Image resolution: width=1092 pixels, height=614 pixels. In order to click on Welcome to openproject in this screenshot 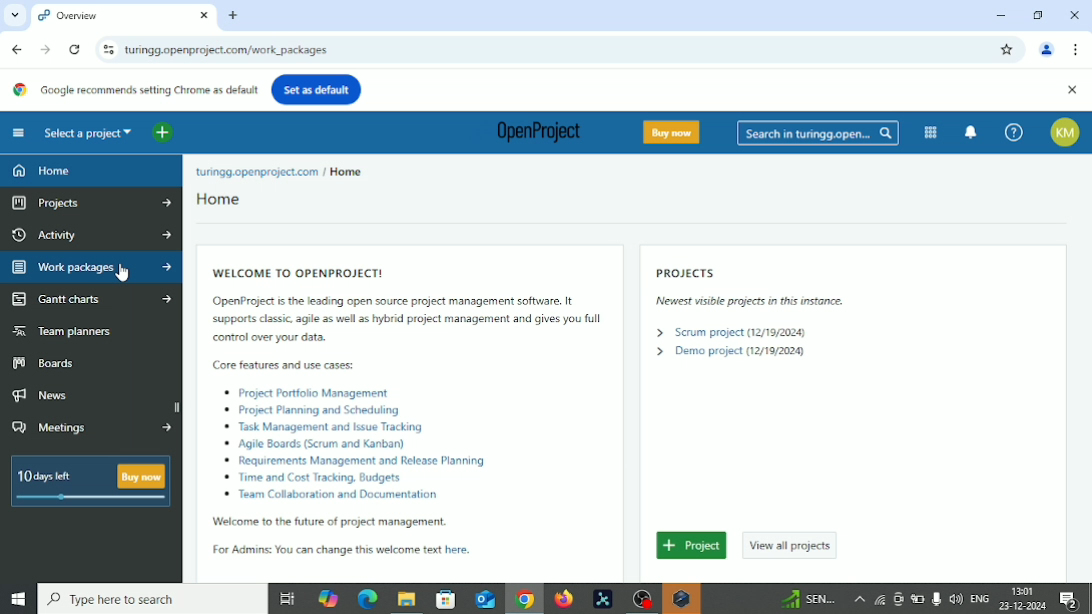, I will do `click(294, 268)`.